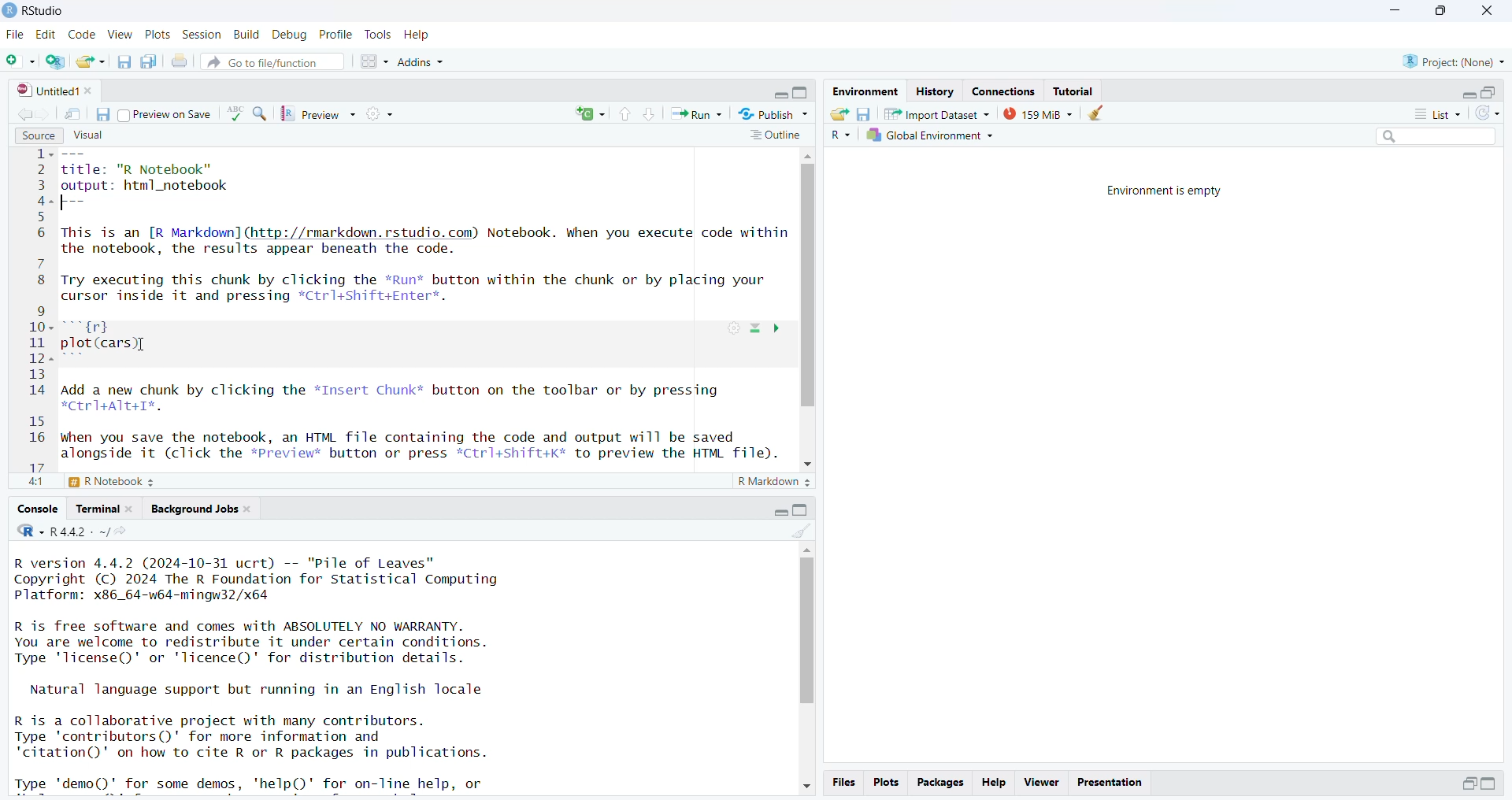 The height and width of the screenshot is (800, 1512). Describe the element at coordinates (806, 669) in the screenshot. I see `scrollbar` at that location.